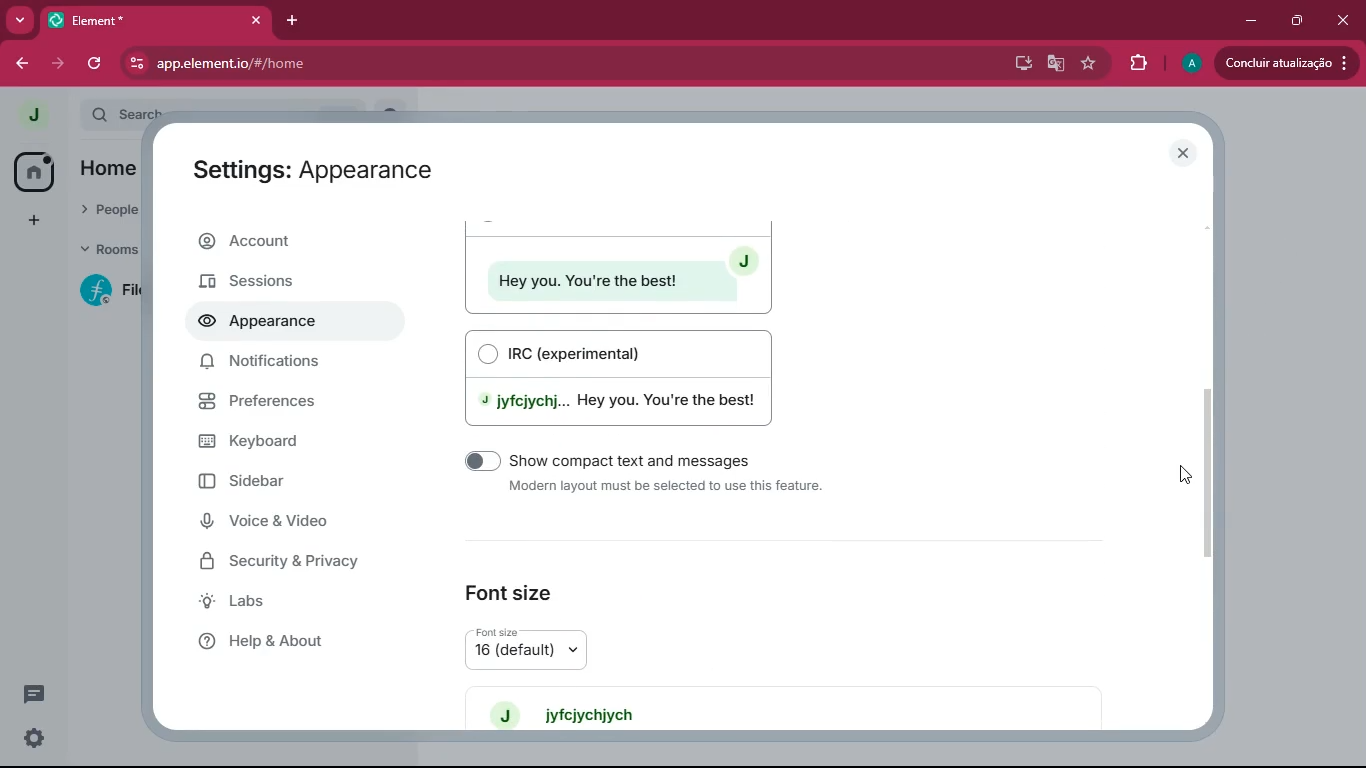  What do you see at coordinates (1054, 62) in the screenshot?
I see `google translate` at bounding box center [1054, 62].